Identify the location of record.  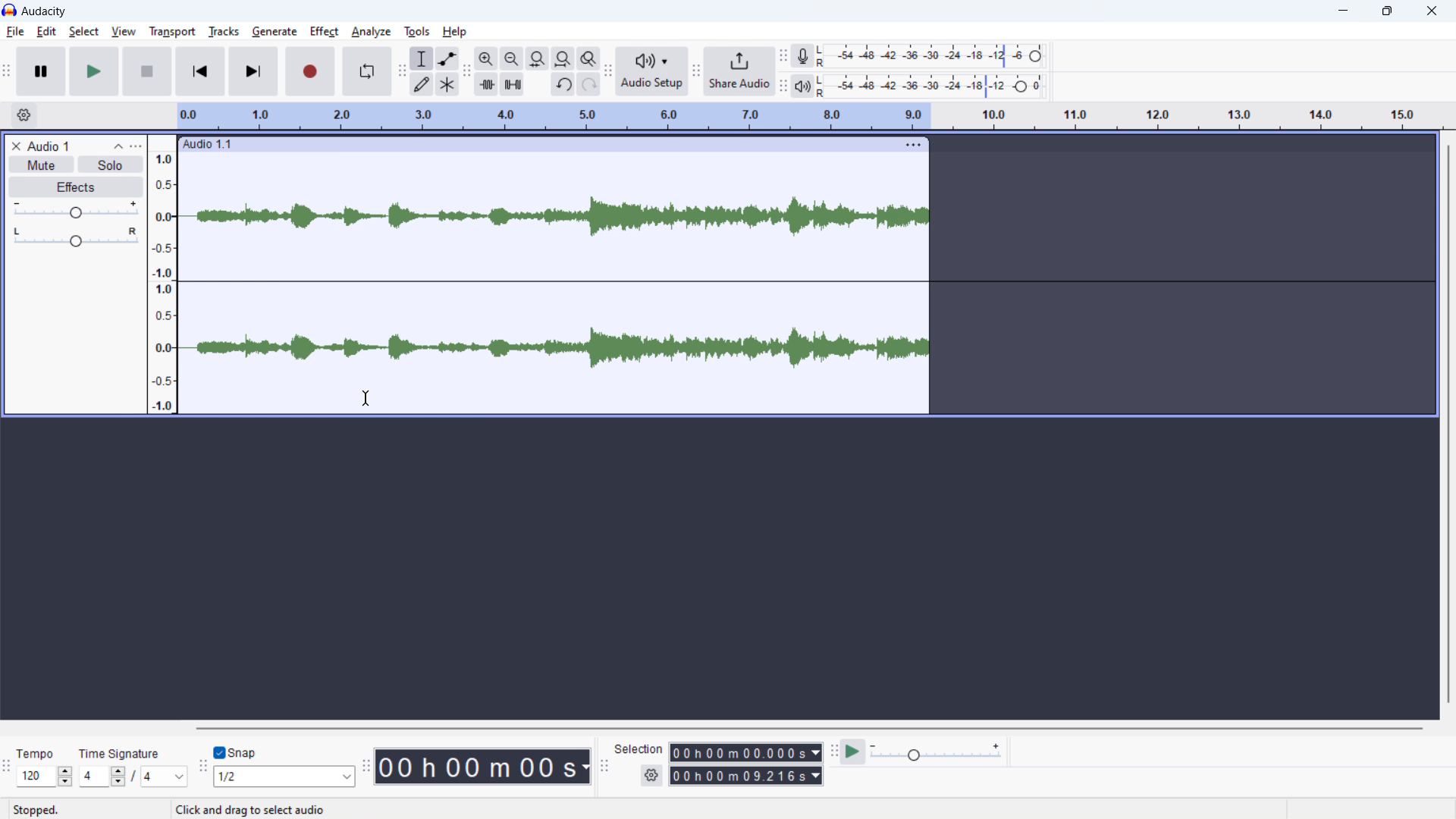
(310, 71).